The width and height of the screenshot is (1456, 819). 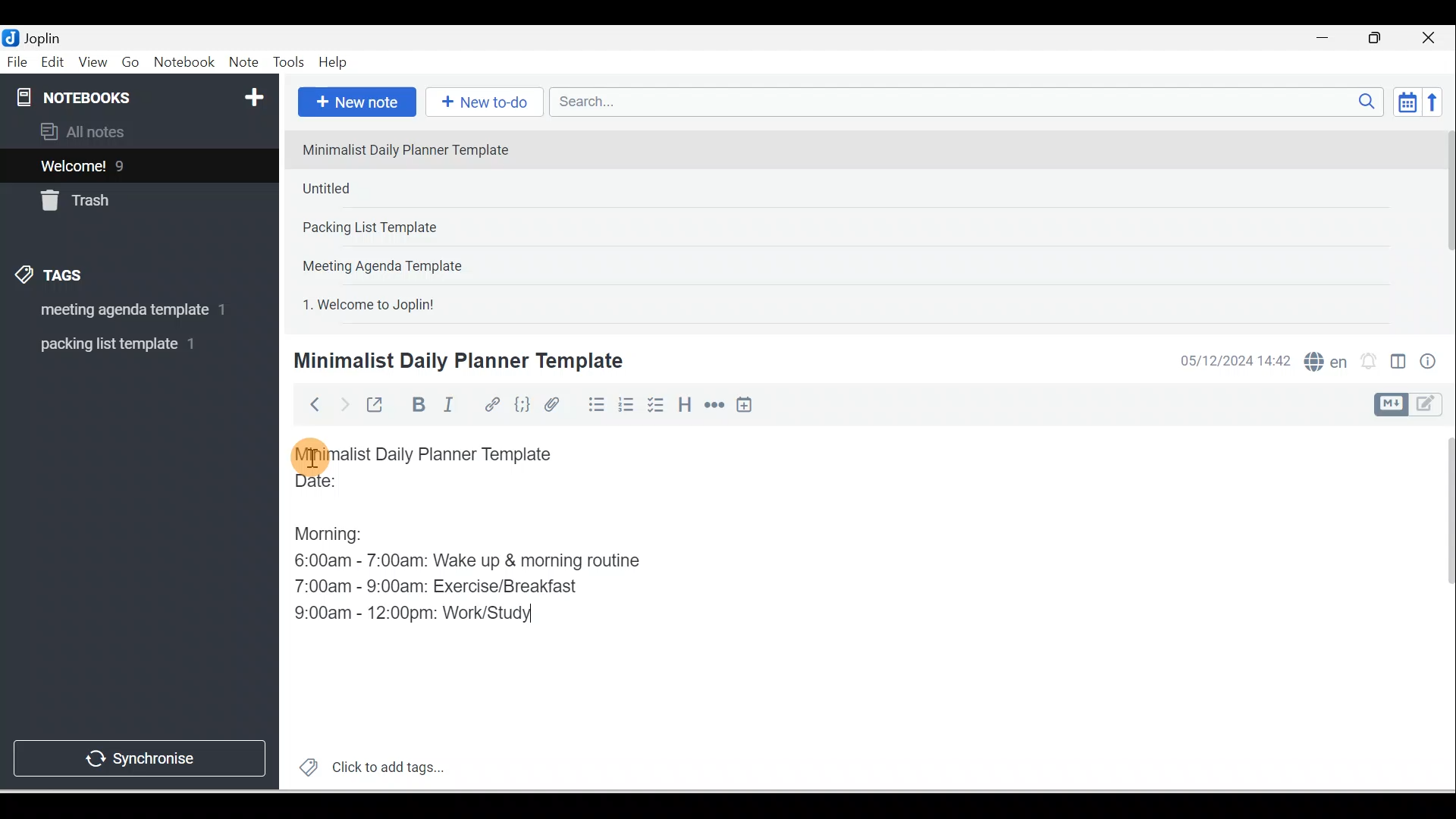 I want to click on Minimalist Daily Planner Template, so click(x=438, y=454).